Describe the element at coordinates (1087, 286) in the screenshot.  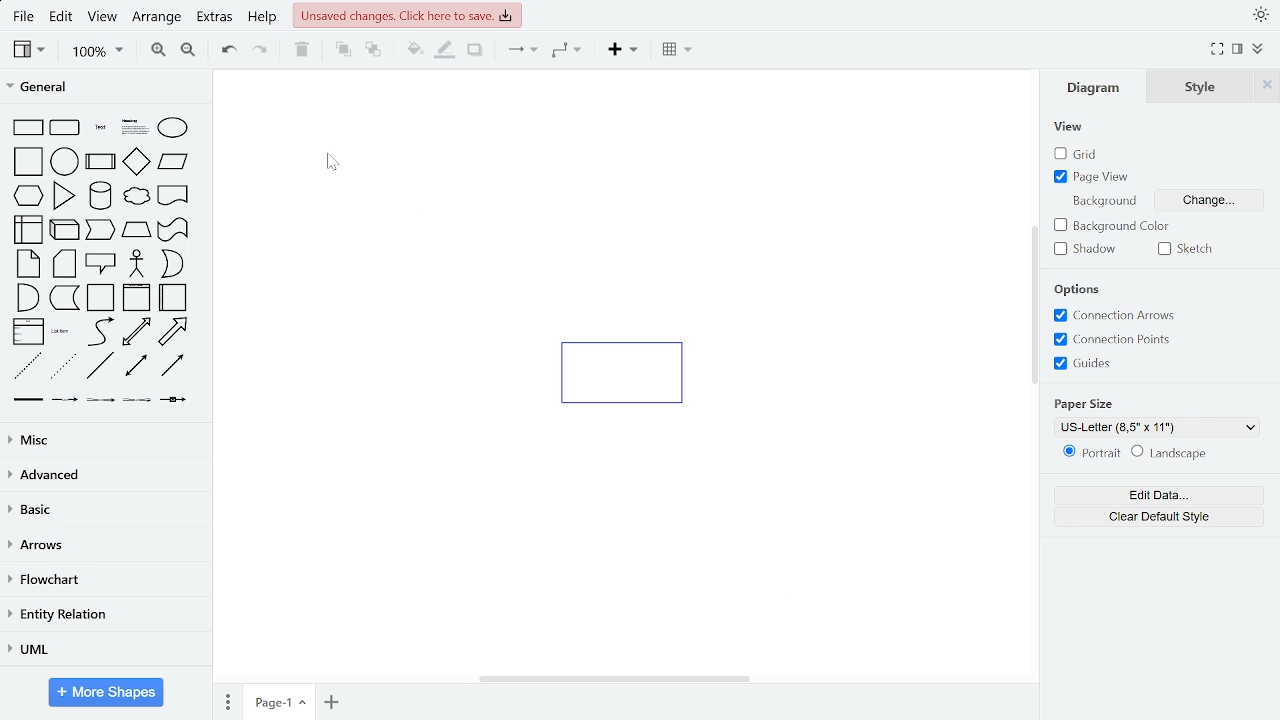
I see `Options` at that location.